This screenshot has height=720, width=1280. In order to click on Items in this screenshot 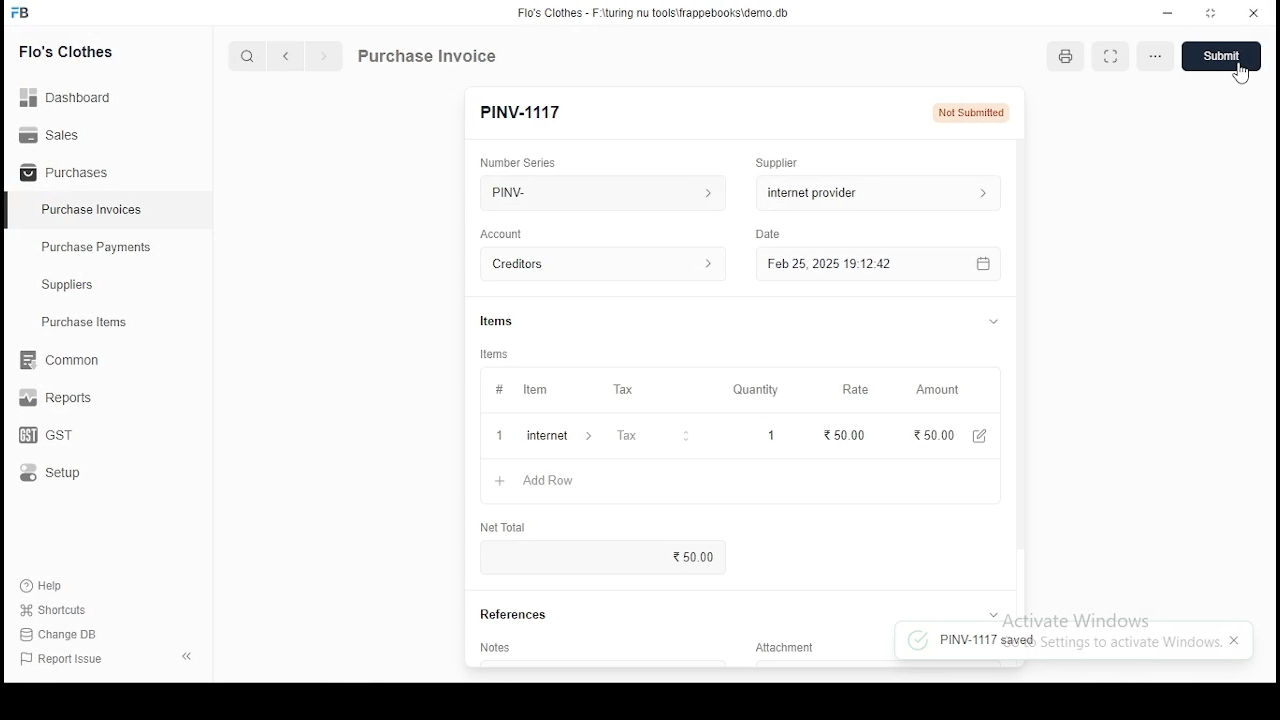, I will do `click(495, 354)`.